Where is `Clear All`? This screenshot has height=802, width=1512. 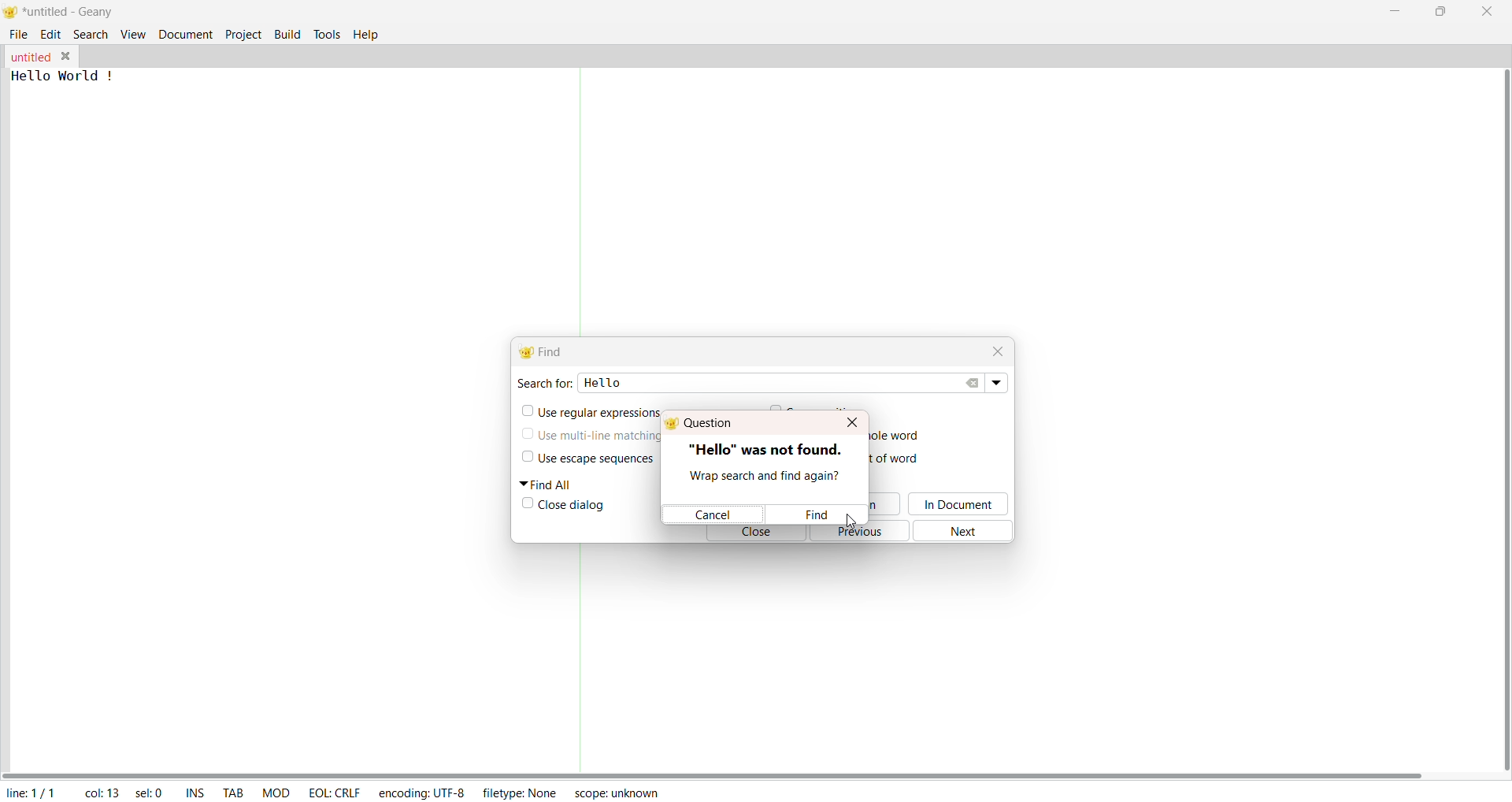 Clear All is located at coordinates (976, 383).